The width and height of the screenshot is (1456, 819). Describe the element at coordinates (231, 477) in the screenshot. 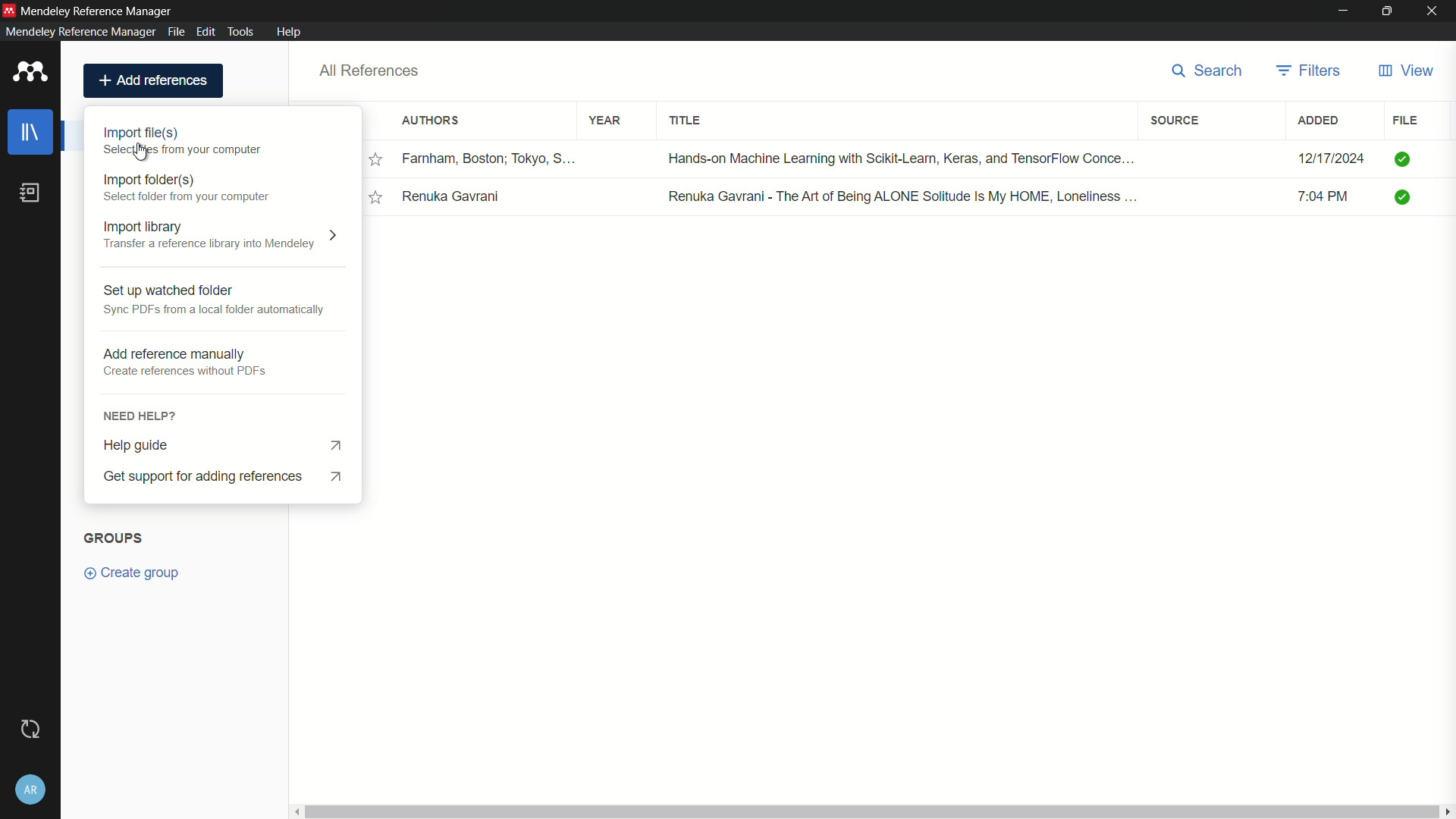

I see `get support for adding references` at that location.